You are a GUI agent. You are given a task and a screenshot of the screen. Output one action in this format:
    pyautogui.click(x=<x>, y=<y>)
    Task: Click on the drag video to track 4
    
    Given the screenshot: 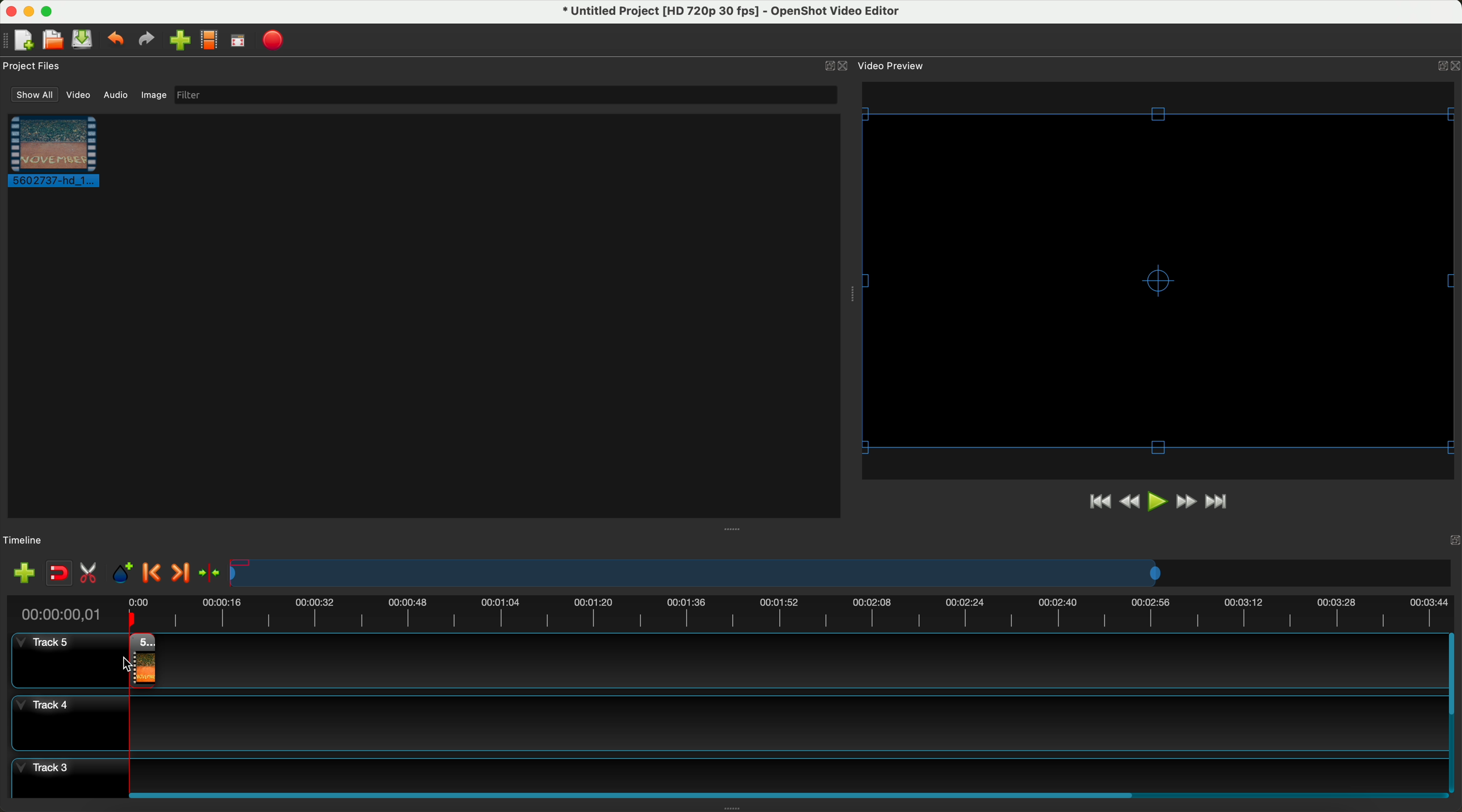 What is the action you would take?
    pyautogui.click(x=140, y=660)
    